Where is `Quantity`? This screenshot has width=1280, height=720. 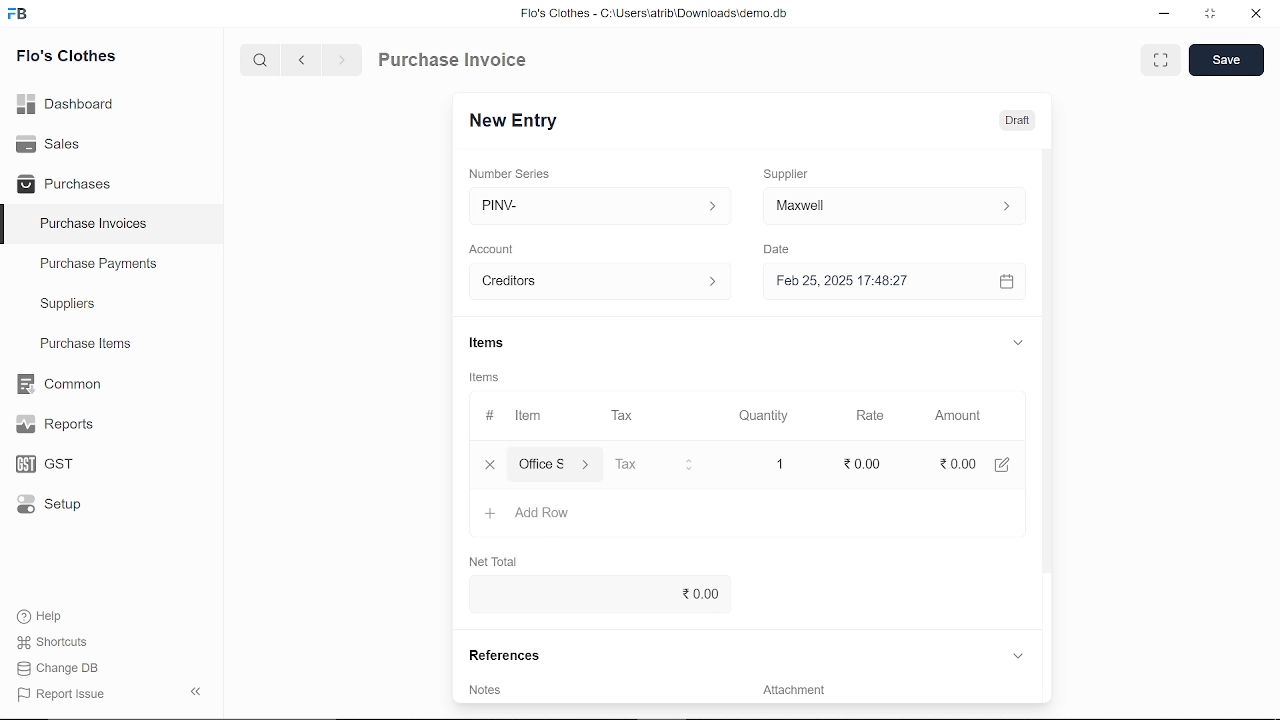 Quantity is located at coordinates (766, 415).